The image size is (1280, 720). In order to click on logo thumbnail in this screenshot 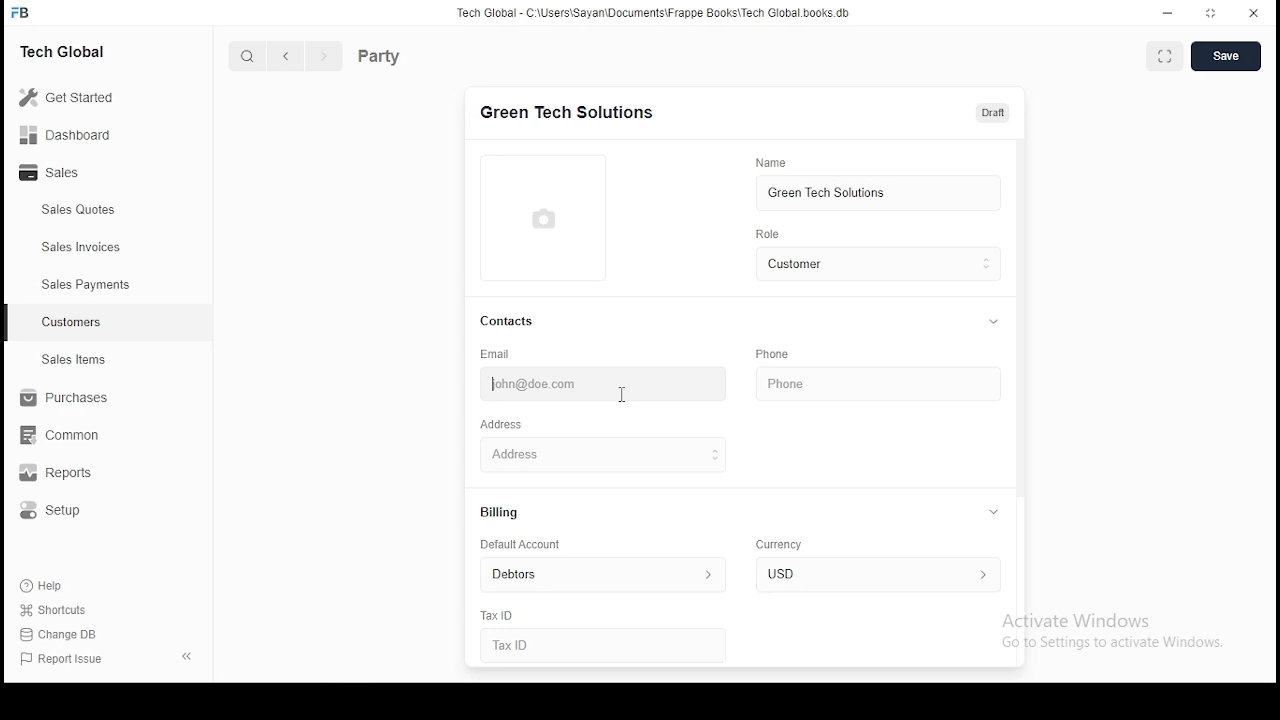, I will do `click(546, 217)`.